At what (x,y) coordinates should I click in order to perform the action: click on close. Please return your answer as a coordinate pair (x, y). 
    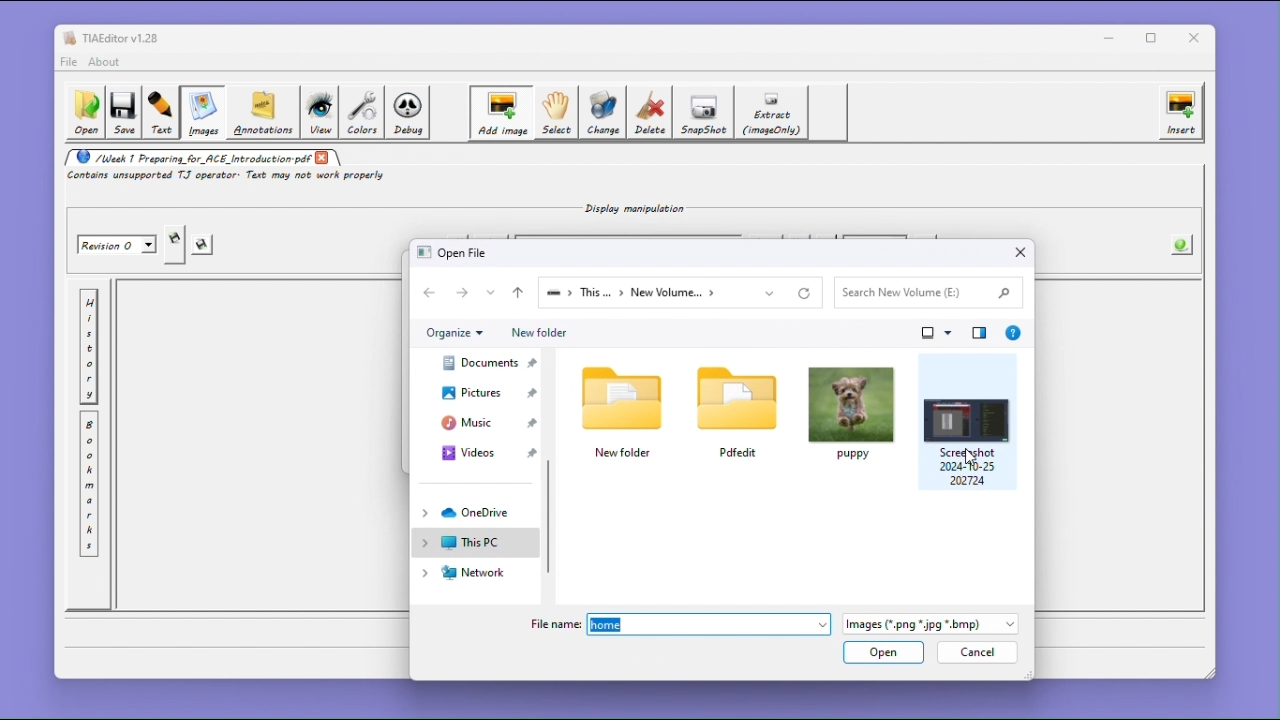
    Looking at the image, I should click on (1198, 38).